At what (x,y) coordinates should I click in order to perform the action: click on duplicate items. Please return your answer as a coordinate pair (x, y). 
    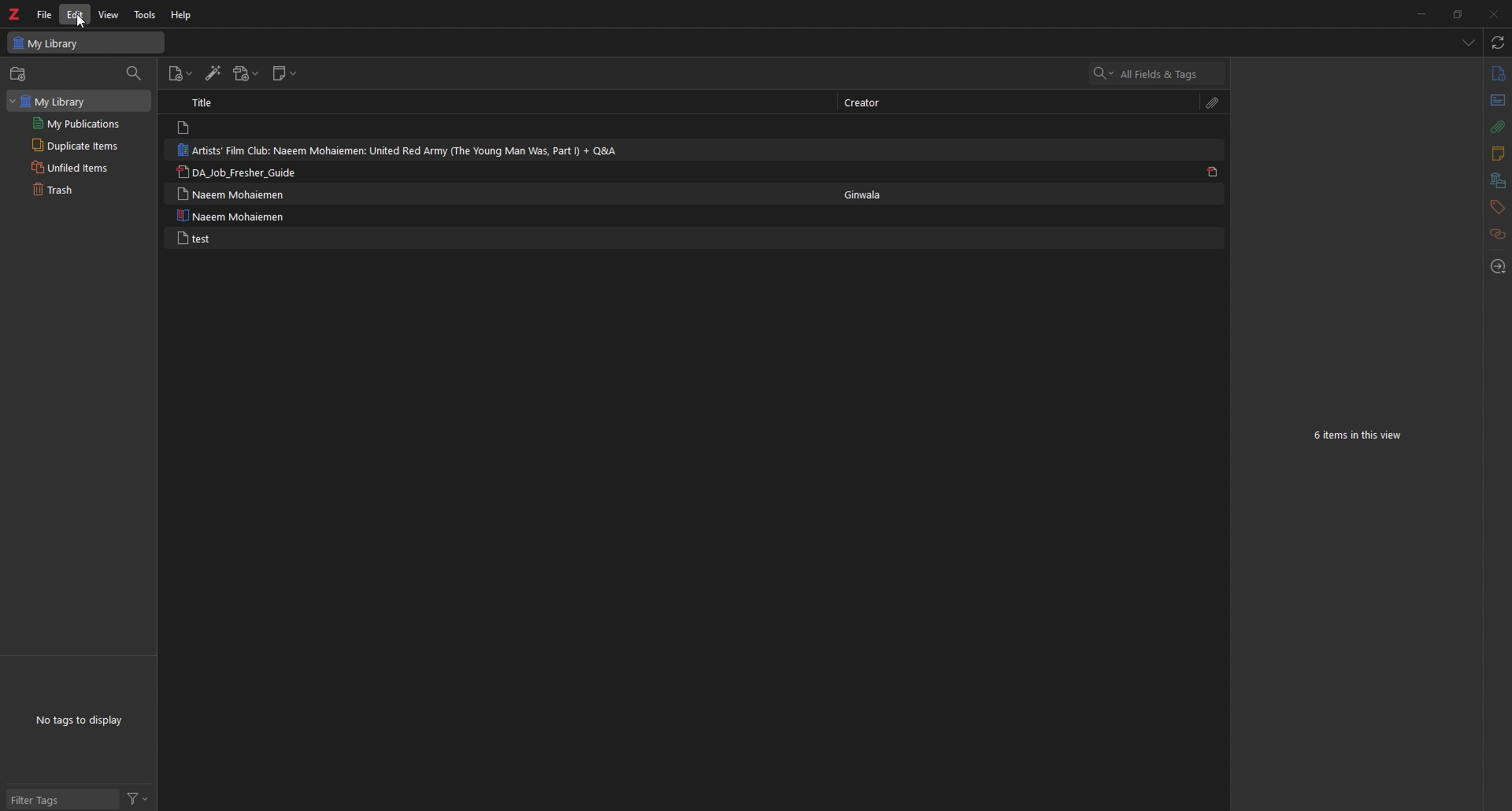
    Looking at the image, I should click on (82, 144).